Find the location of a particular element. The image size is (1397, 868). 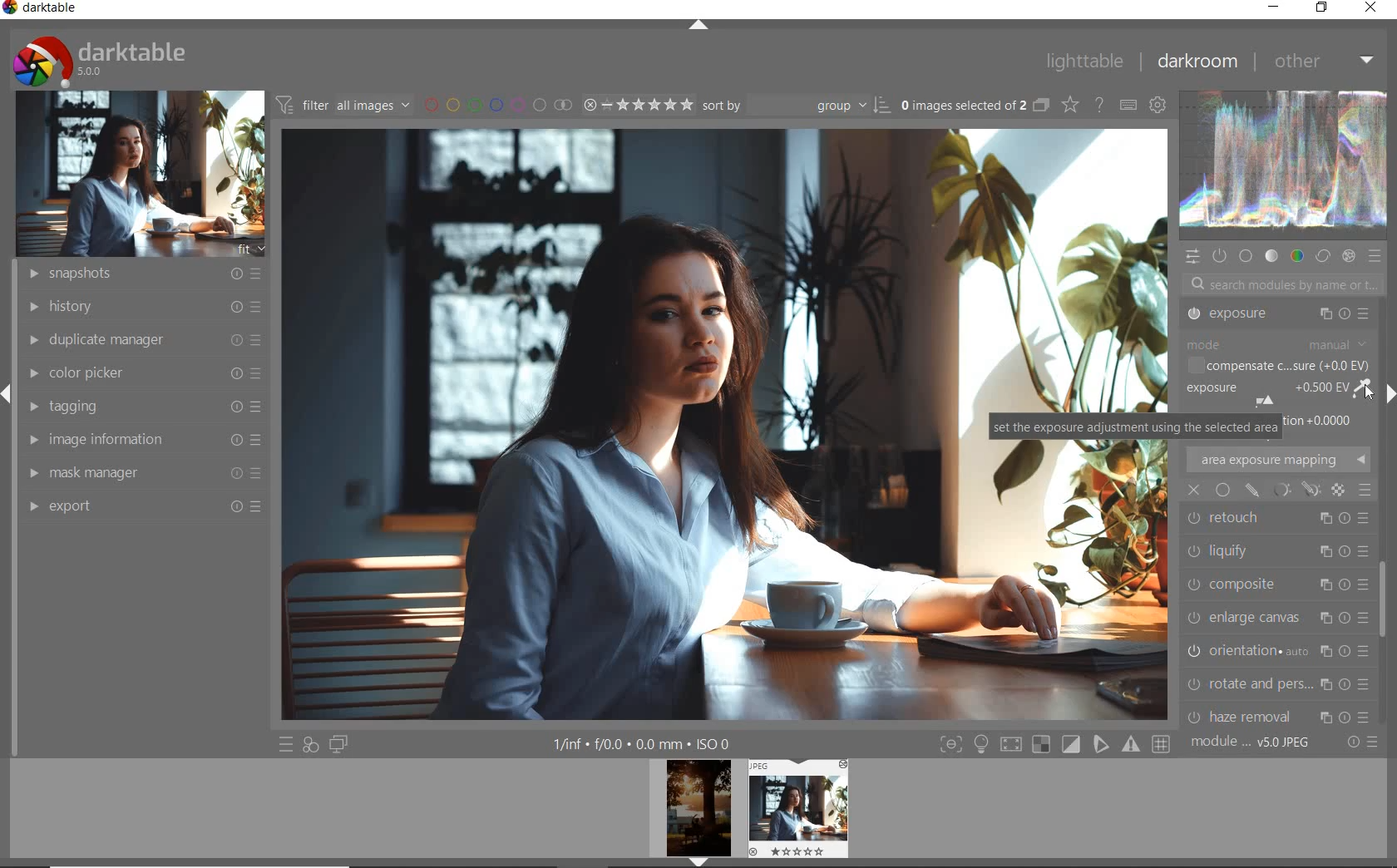

blending options is located at coordinates (1365, 491).